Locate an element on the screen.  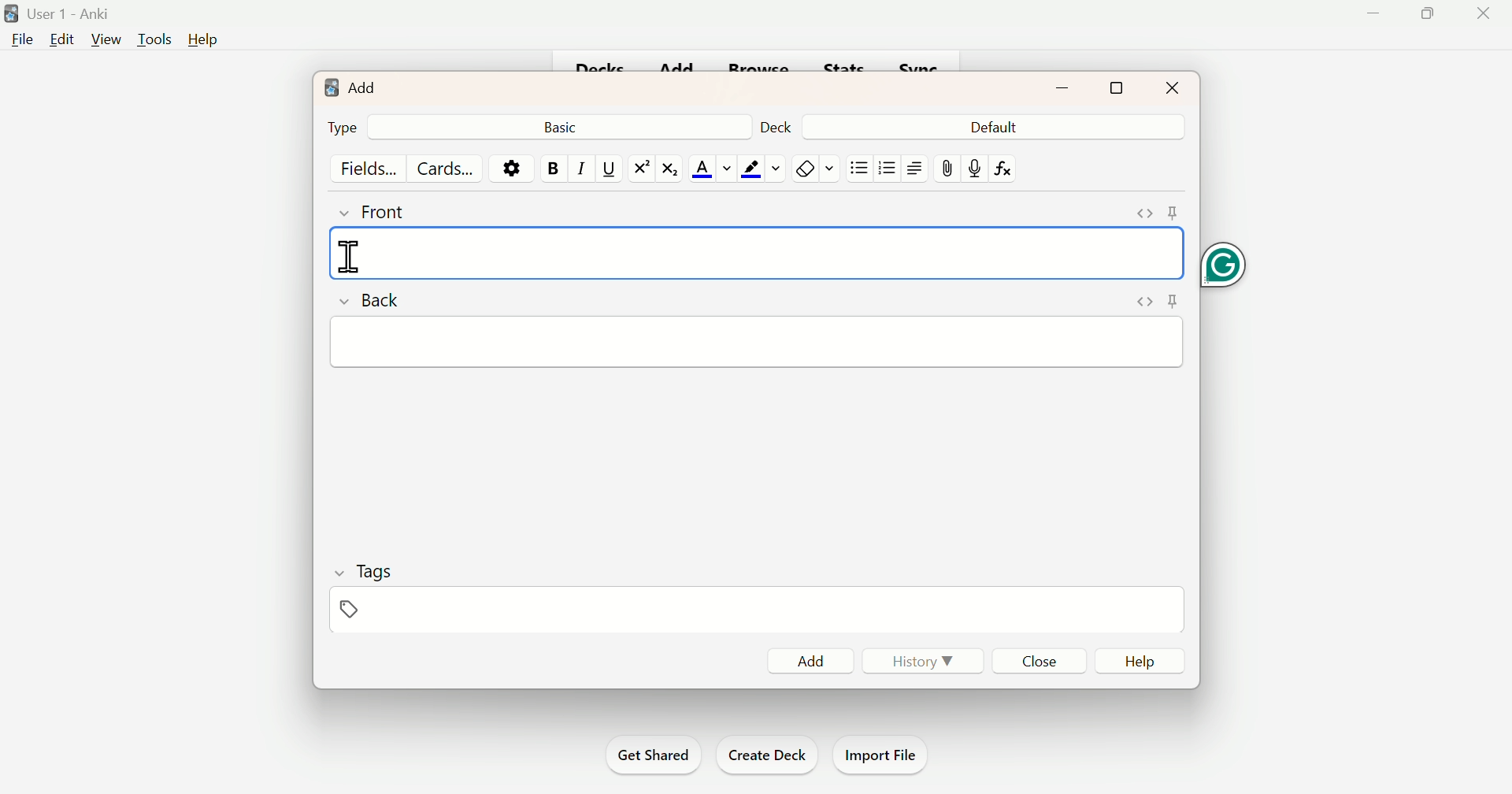
Italiac is located at coordinates (580, 167).